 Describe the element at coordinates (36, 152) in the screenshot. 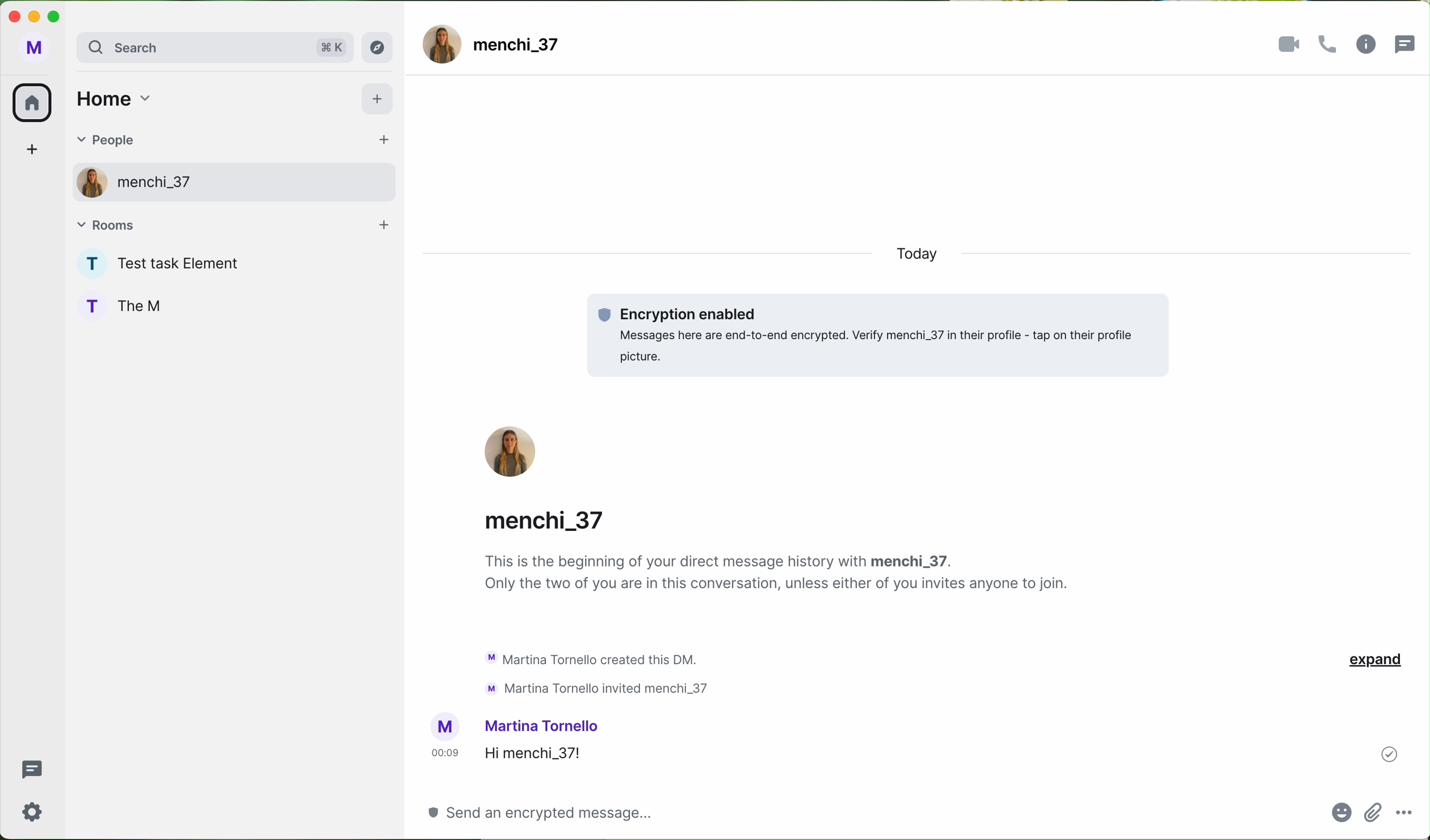

I see `add` at that location.